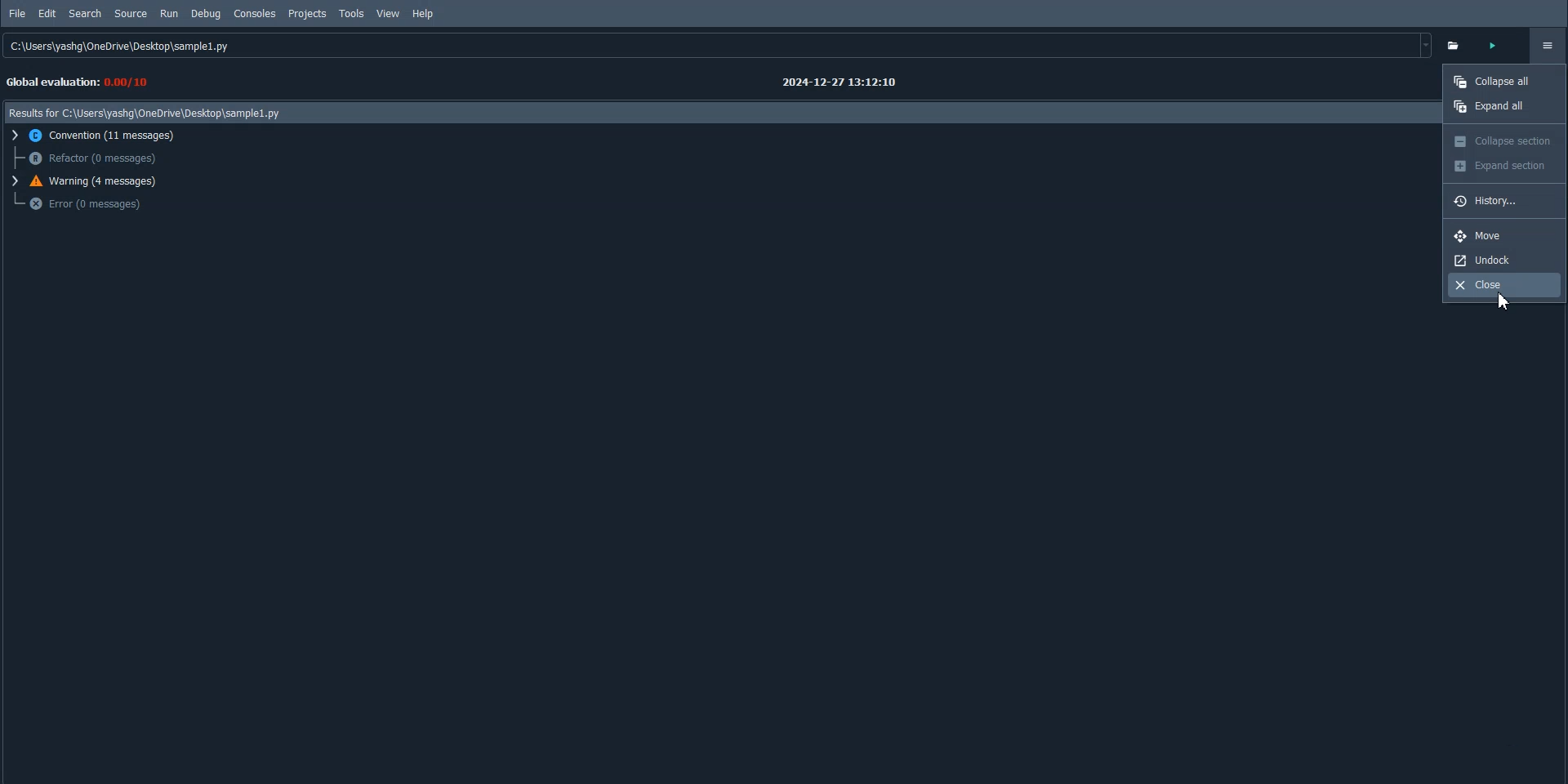 Image resolution: width=1568 pixels, height=784 pixels. What do you see at coordinates (1503, 105) in the screenshot?
I see `Expand All` at bounding box center [1503, 105].